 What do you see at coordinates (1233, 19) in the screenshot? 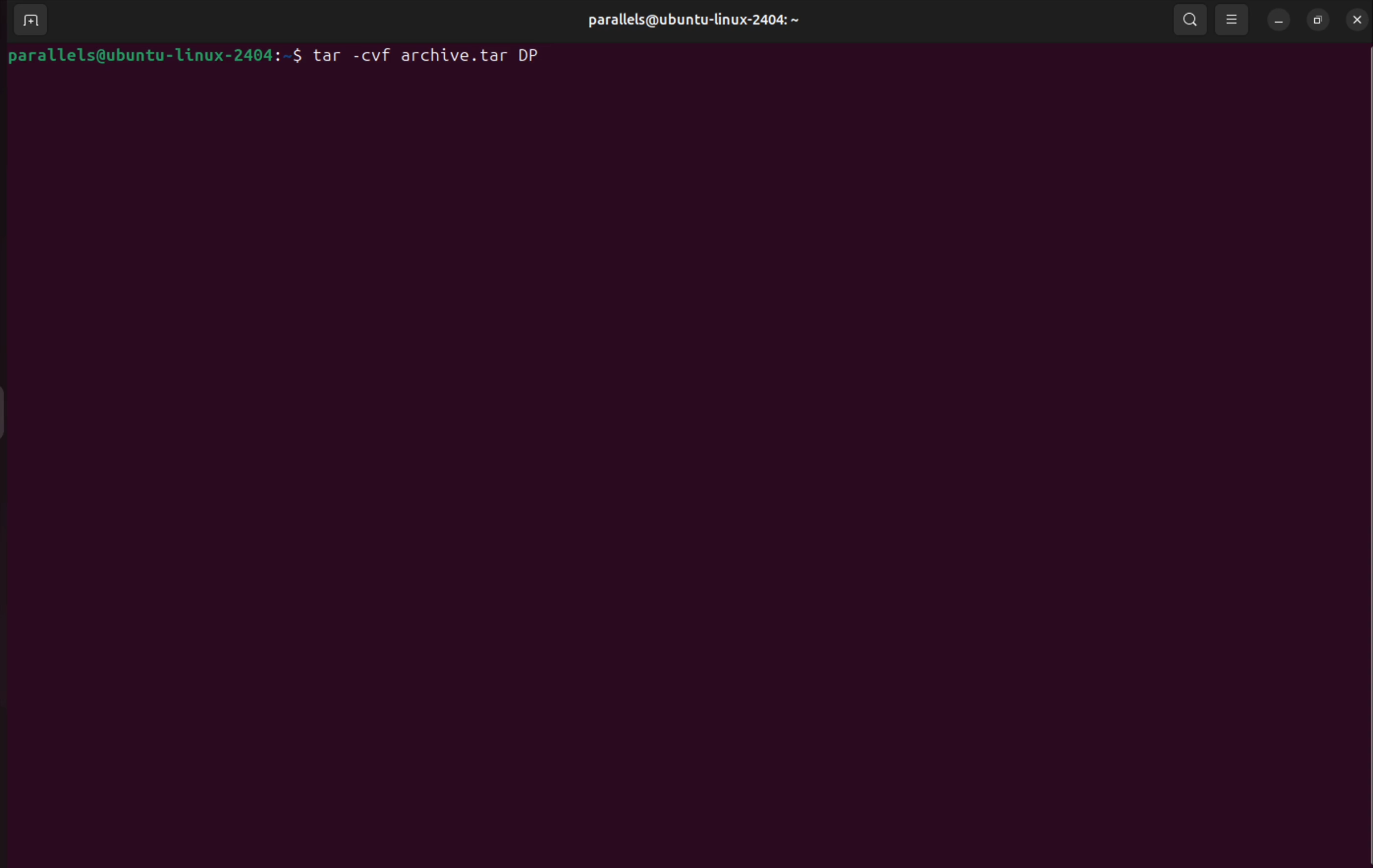
I see `view options` at bounding box center [1233, 19].